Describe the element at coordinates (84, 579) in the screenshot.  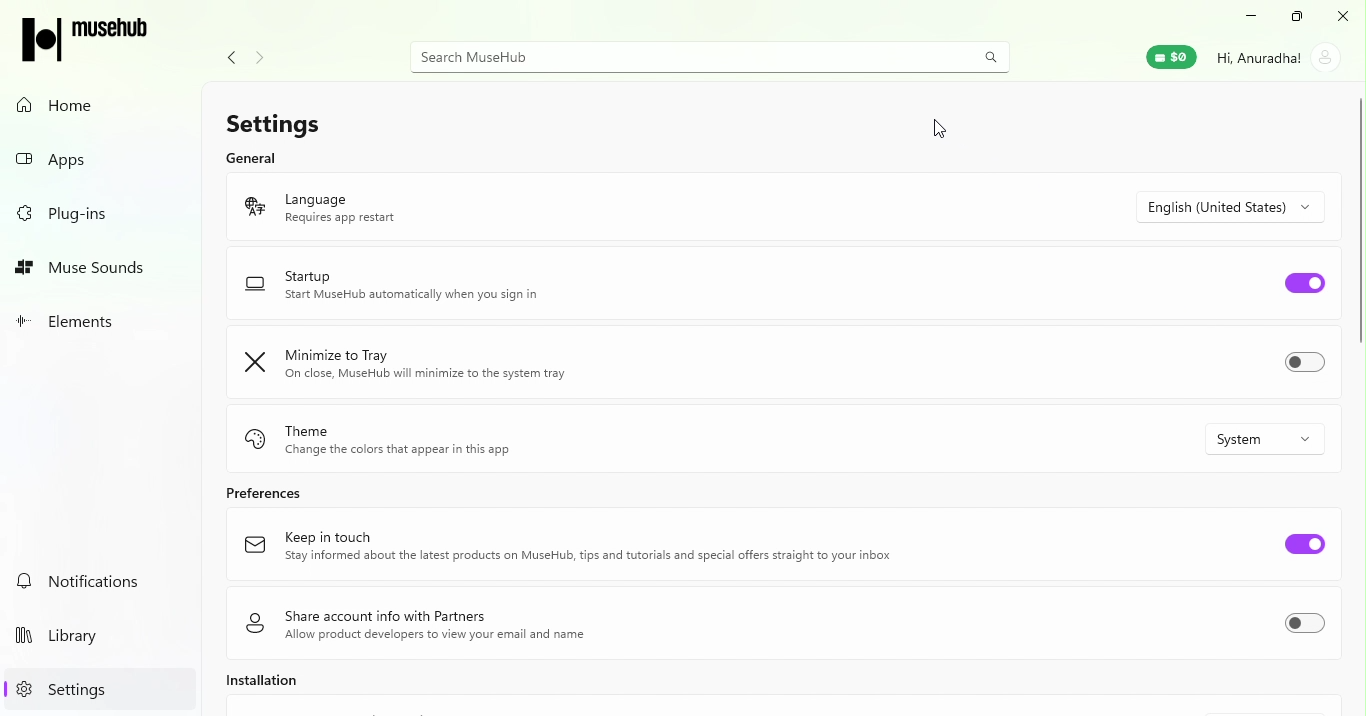
I see `Notifications` at that location.